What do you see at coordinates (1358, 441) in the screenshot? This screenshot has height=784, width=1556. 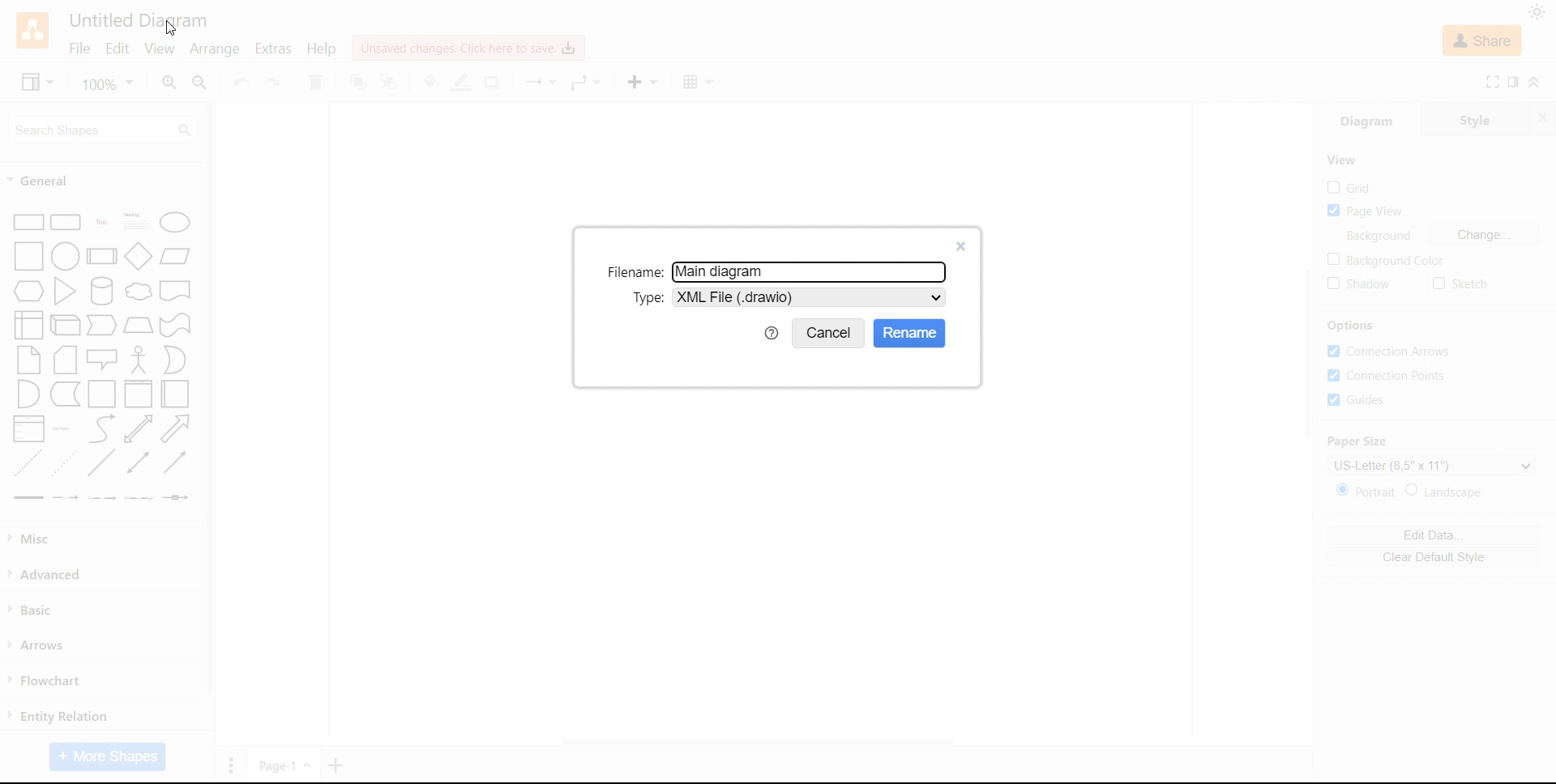 I see `Paper size ` at bounding box center [1358, 441].